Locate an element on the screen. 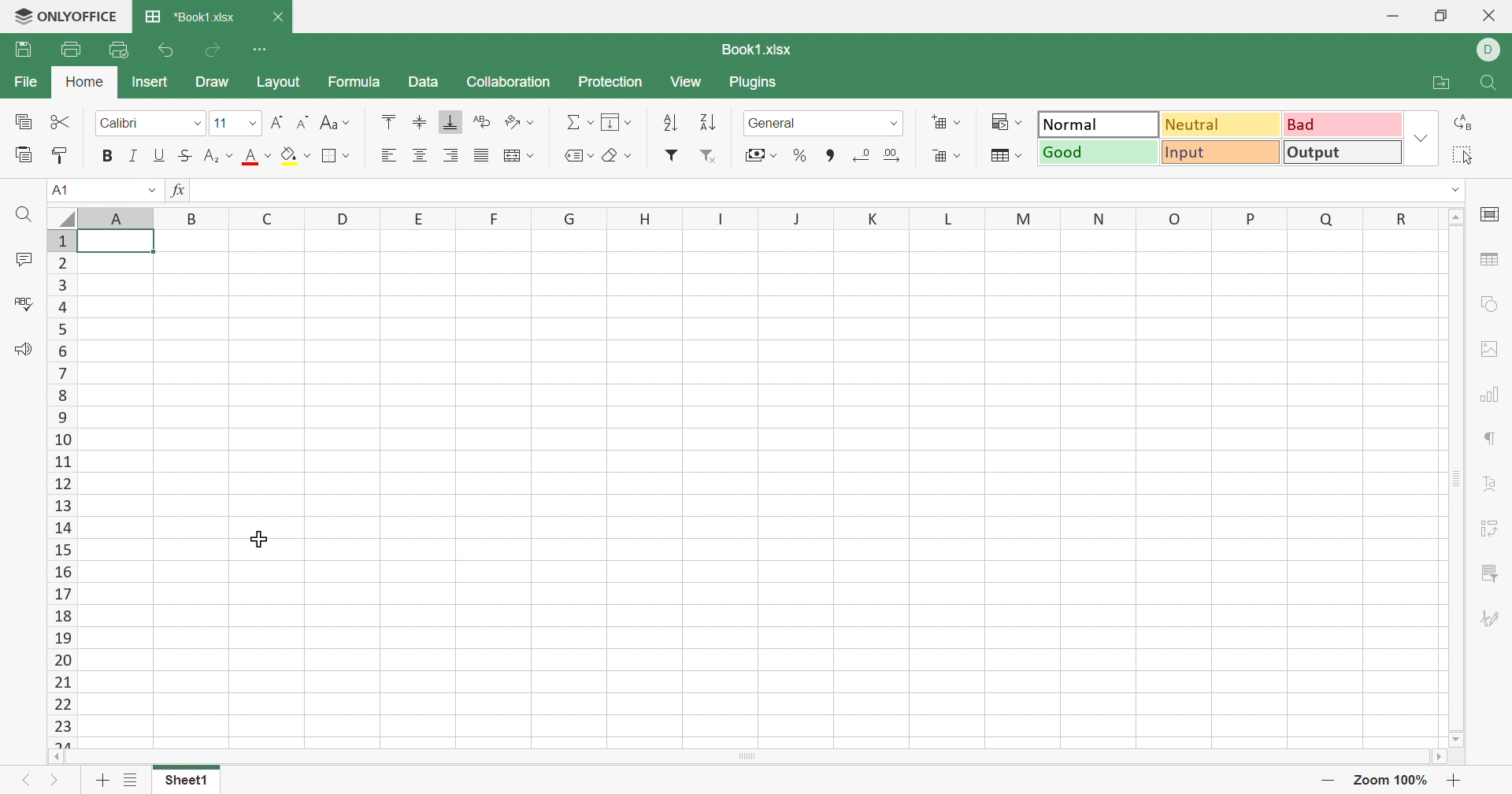 The width and height of the screenshot is (1512, 794). Bold is located at coordinates (109, 155).